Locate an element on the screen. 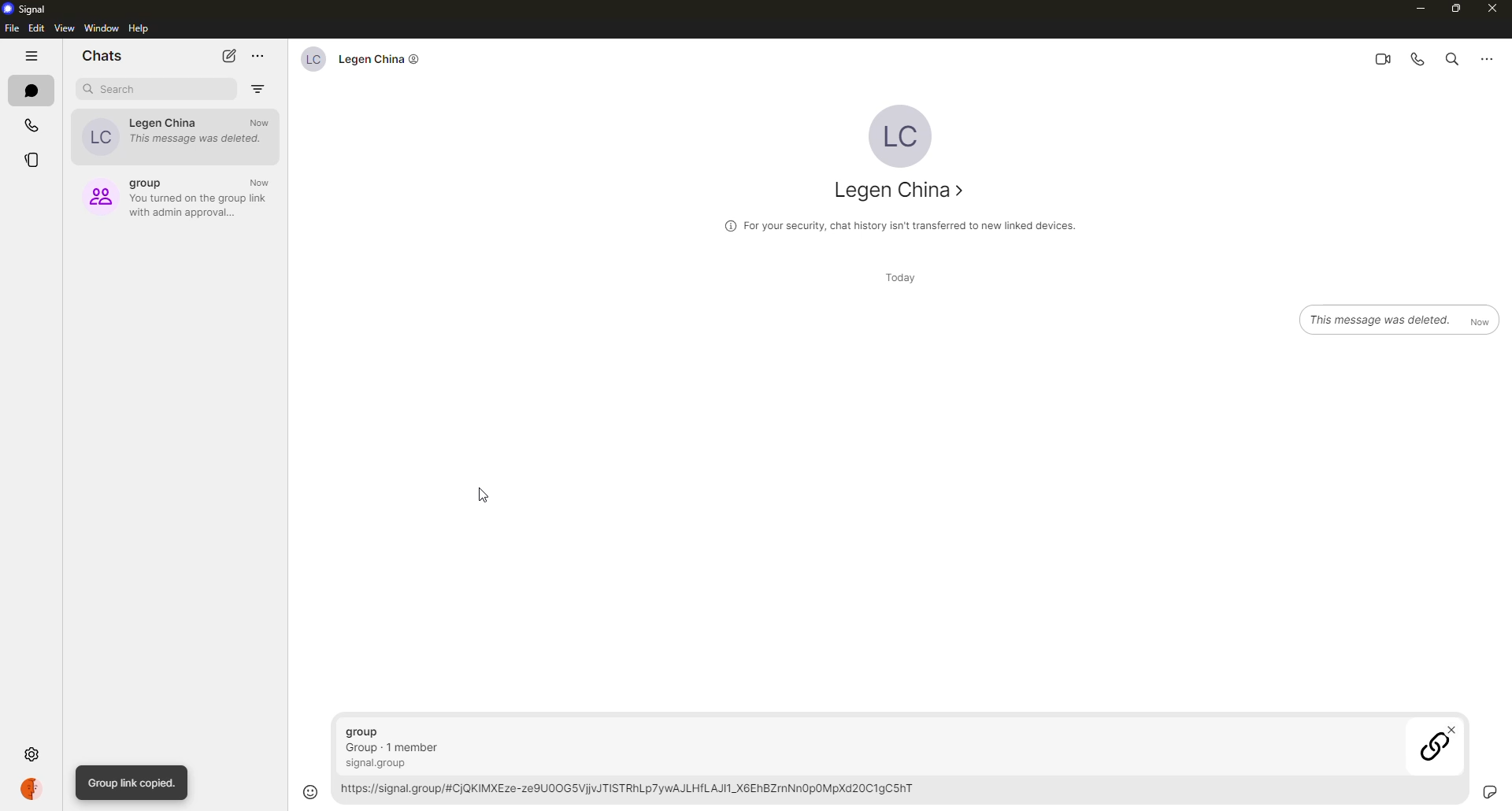 Image resolution: width=1512 pixels, height=811 pixels. stories is located at coordinates (31, 162).